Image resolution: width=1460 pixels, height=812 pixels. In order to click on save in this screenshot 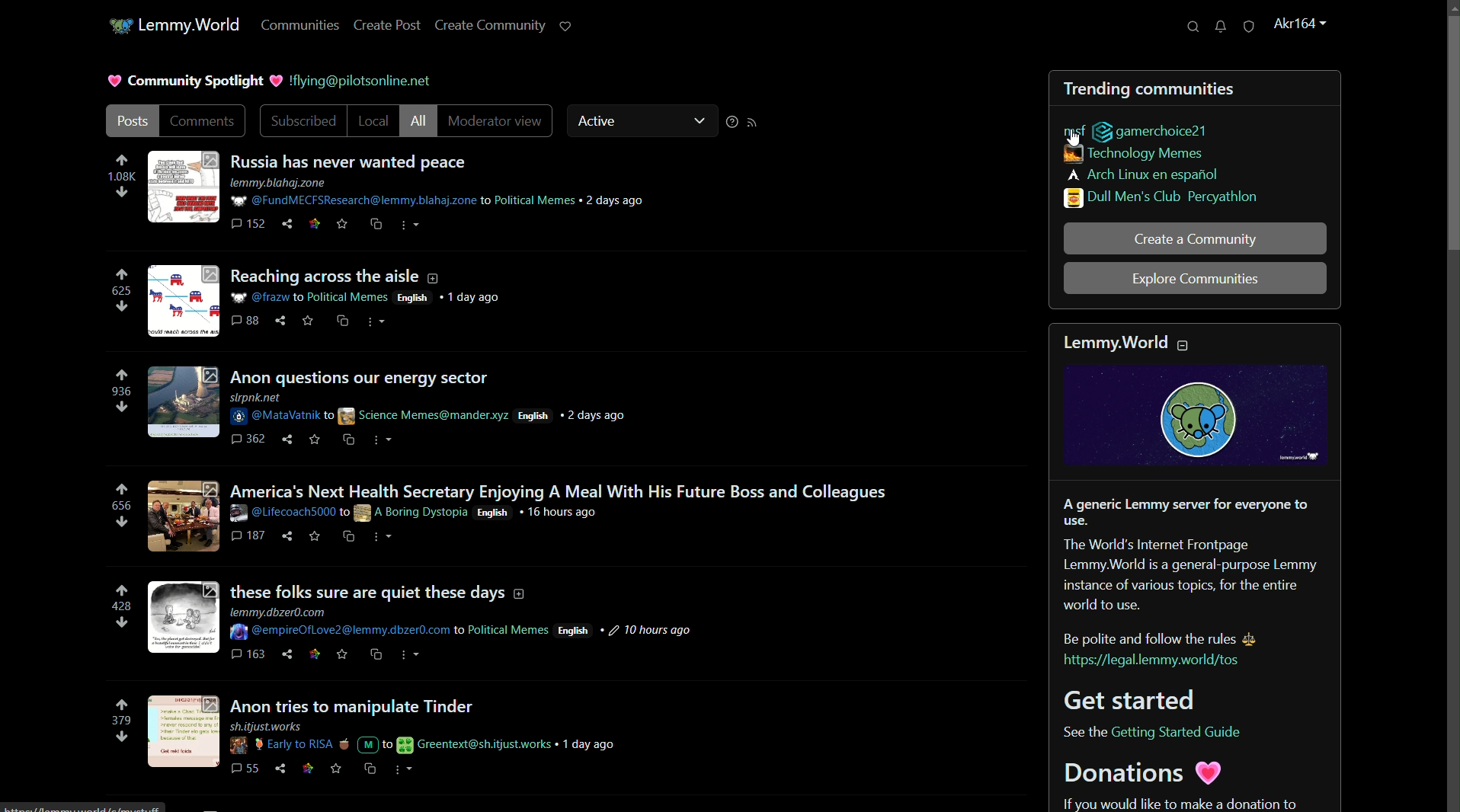, I will do `click(314, 436)`.